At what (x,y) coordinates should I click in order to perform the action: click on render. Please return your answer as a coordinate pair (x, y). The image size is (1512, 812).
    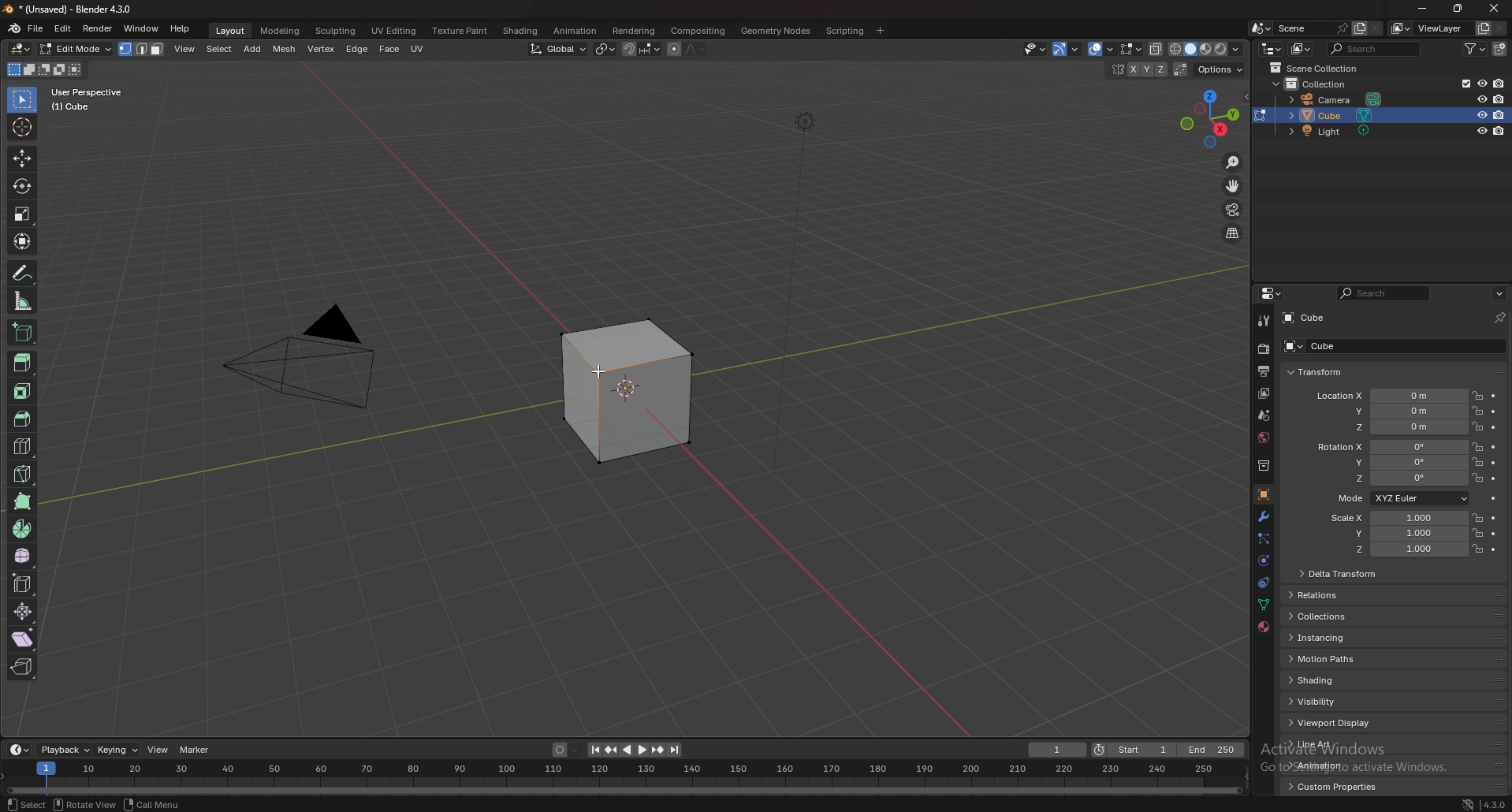
    Looking at the image, I should click on (99, 29).